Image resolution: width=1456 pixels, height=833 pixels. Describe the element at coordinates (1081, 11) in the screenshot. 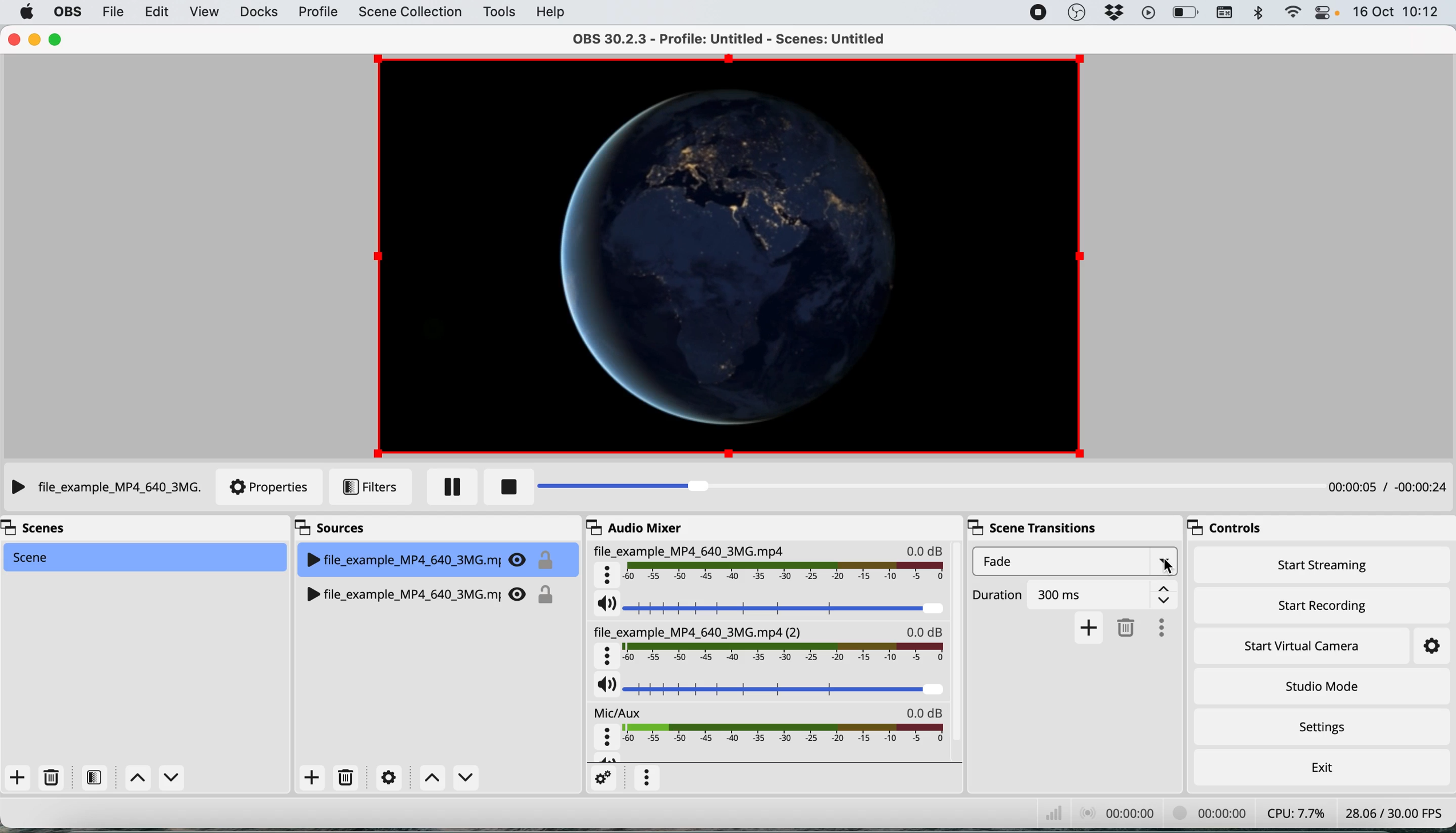

I see `obs` at that location.